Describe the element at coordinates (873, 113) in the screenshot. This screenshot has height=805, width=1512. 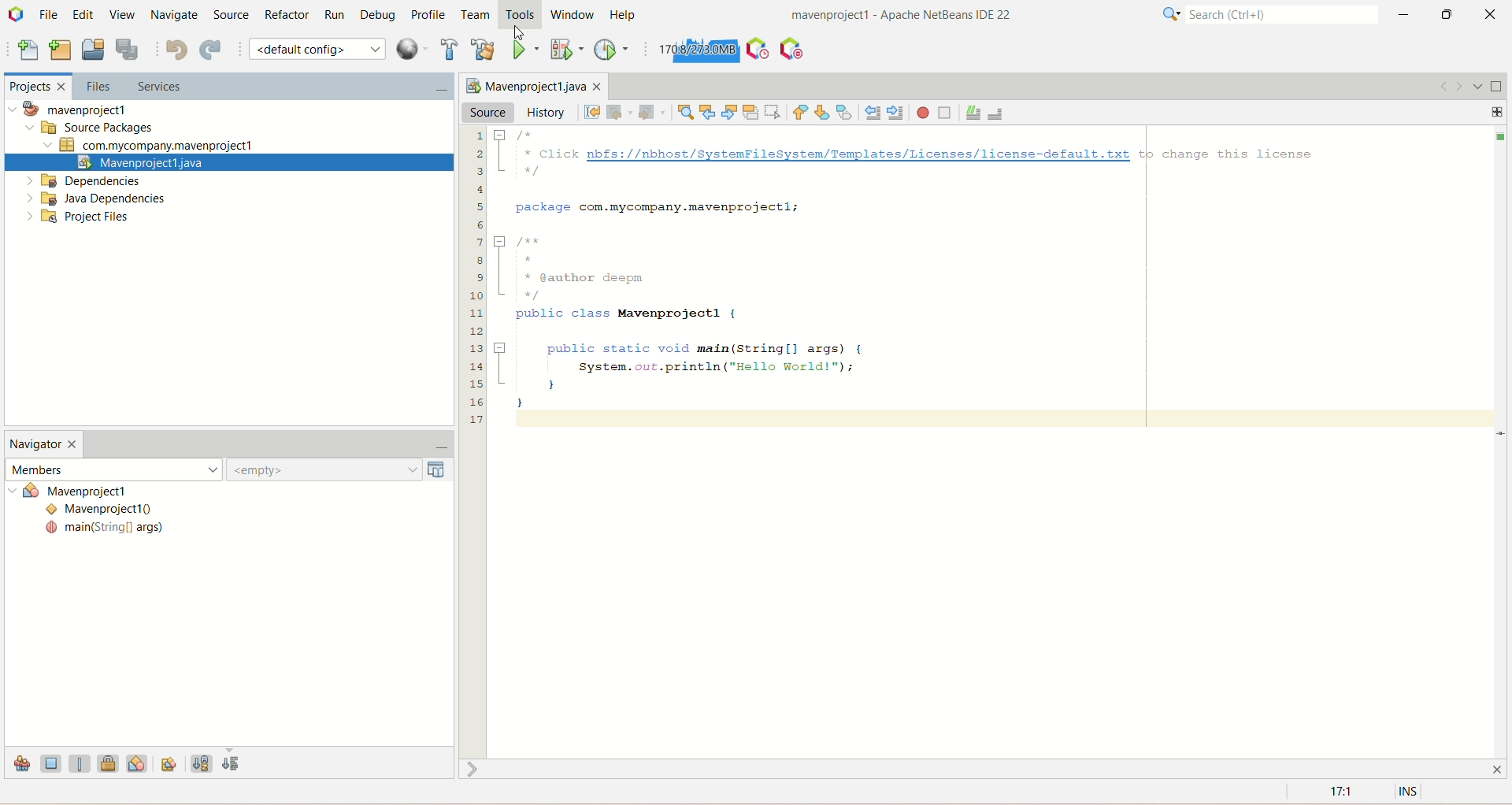
I see `shift line left` at that location.